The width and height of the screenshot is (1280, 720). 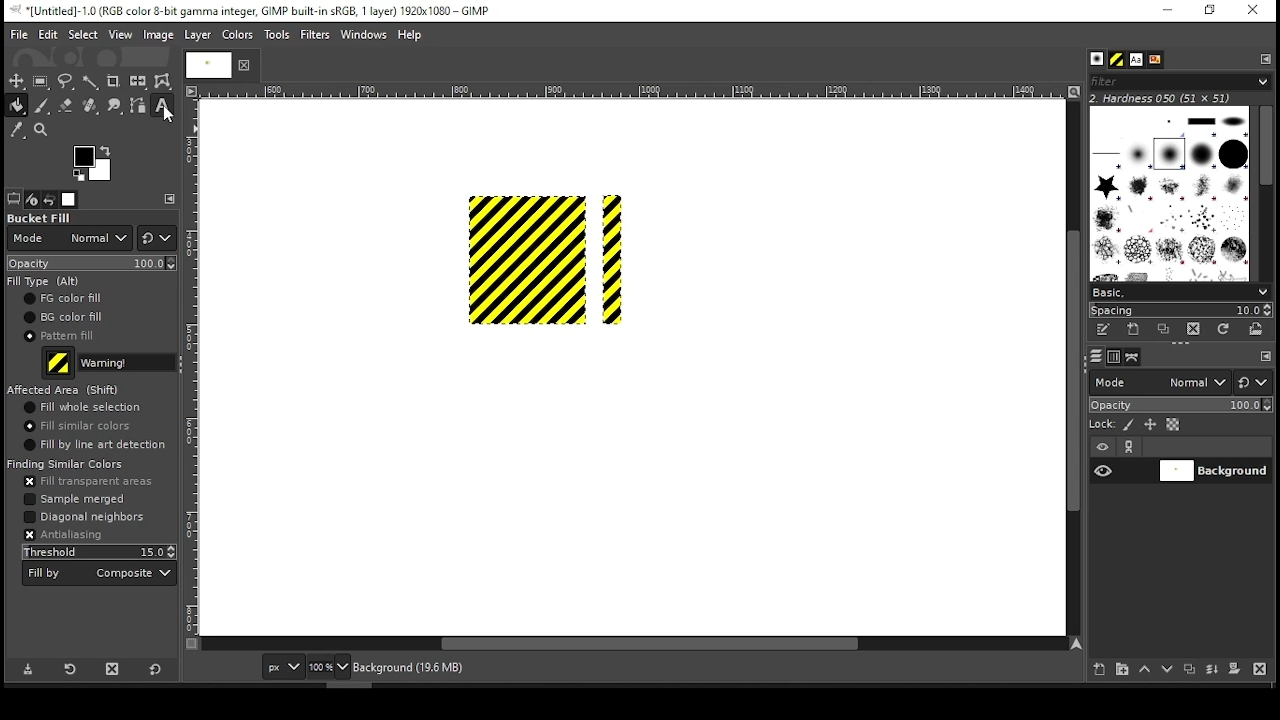 I want to click on images, so click(x=70, y=200).